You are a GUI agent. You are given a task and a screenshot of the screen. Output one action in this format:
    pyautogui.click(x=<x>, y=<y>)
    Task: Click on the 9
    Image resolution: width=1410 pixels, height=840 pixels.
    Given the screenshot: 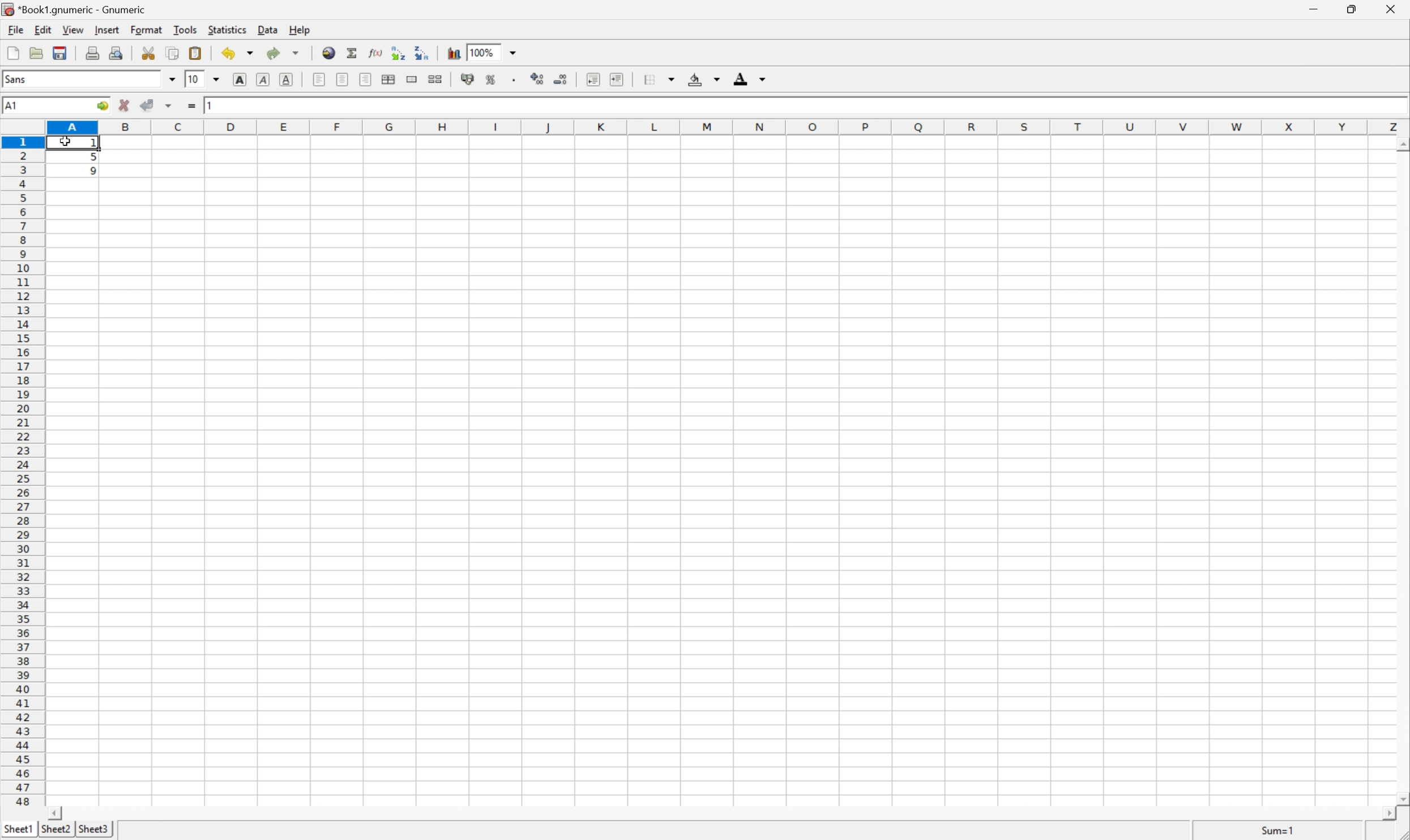 What is the action you would take?
    pyautogui.click(x=95, y=172)
    